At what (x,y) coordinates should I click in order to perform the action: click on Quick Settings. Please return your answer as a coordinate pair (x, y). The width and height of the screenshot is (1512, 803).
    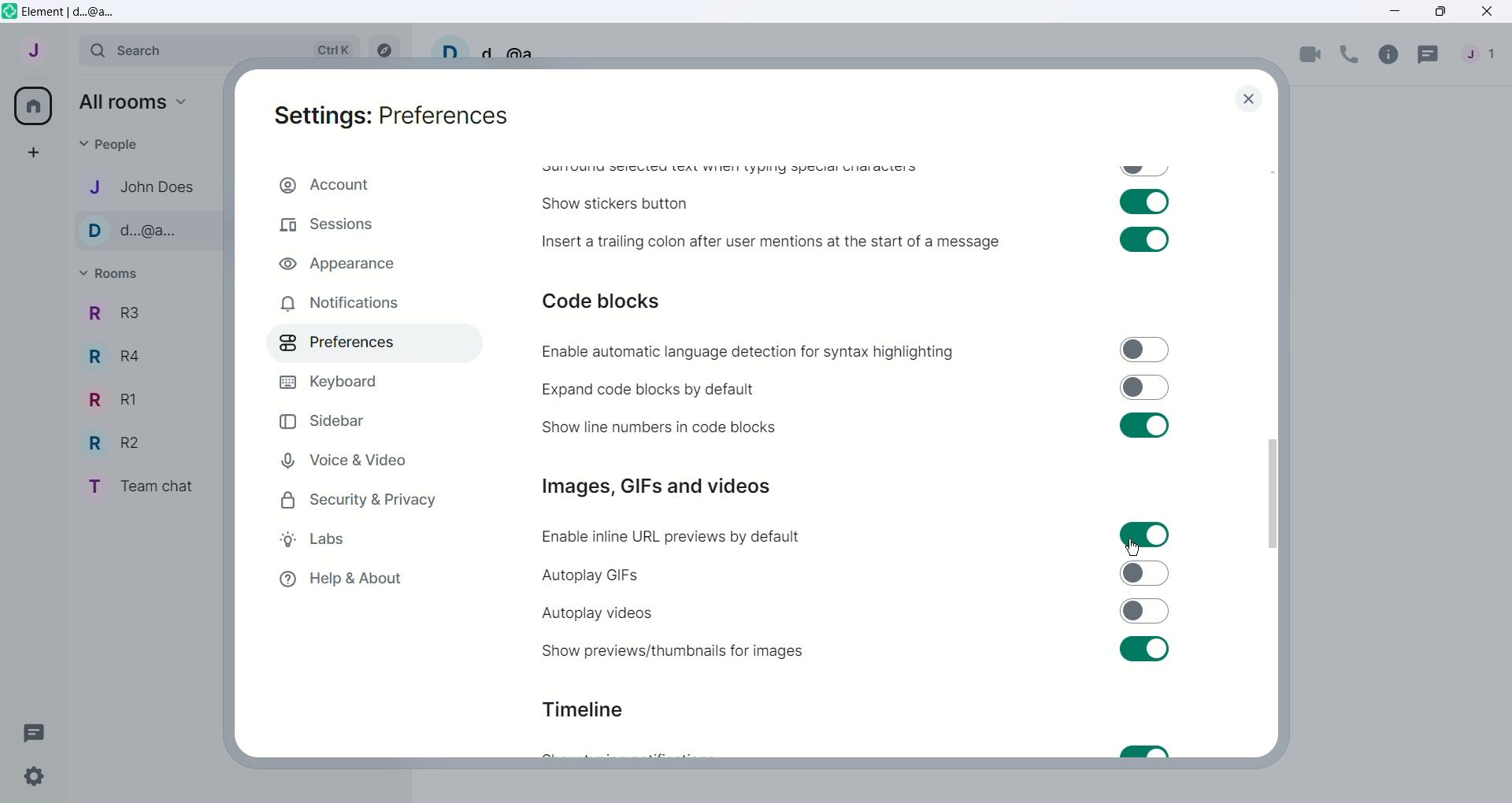
    Looking at the image, I should click on (34, 777).